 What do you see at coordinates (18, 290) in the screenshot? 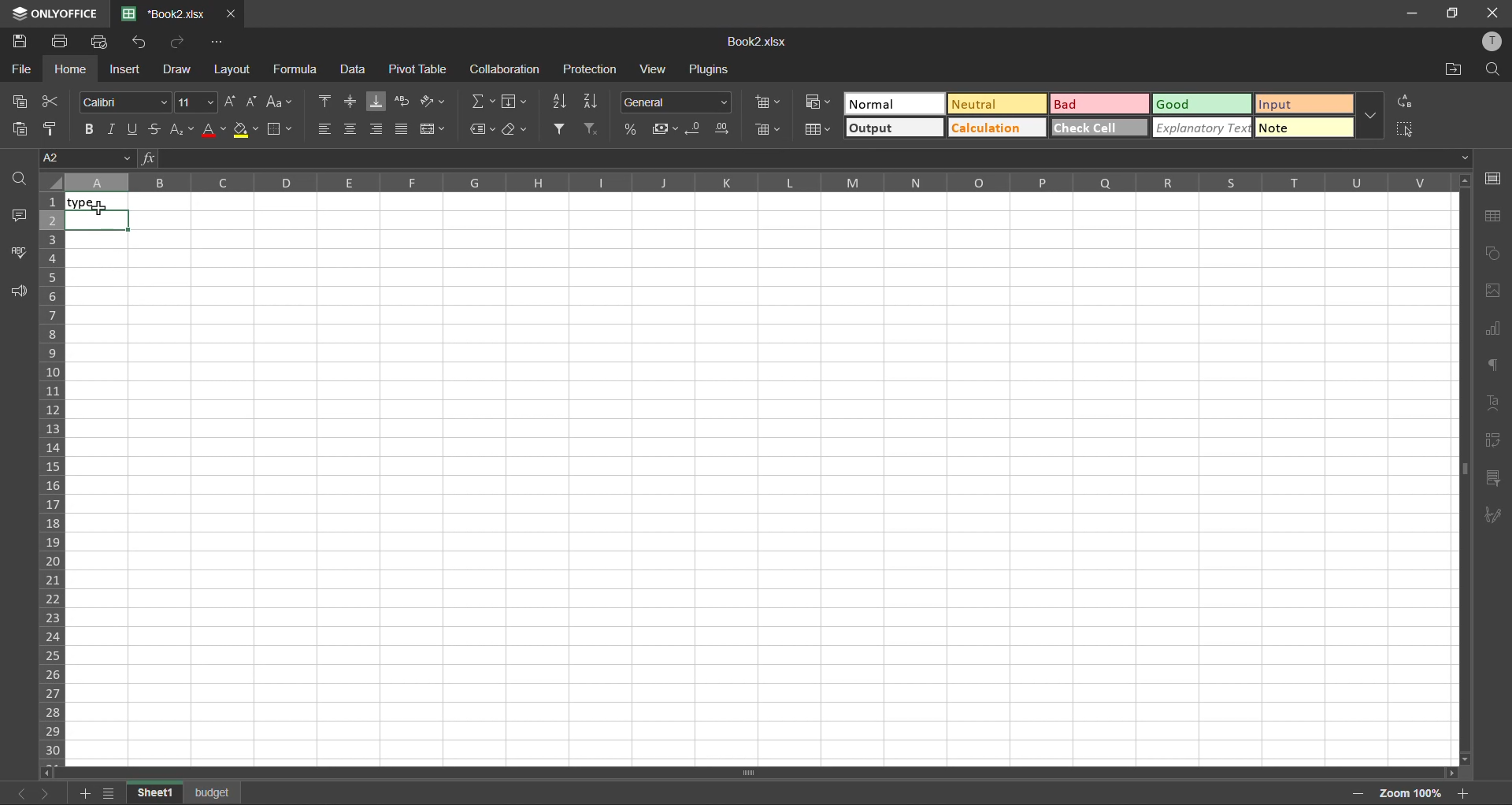
I see `feedback` at bounding box center [18, 290].